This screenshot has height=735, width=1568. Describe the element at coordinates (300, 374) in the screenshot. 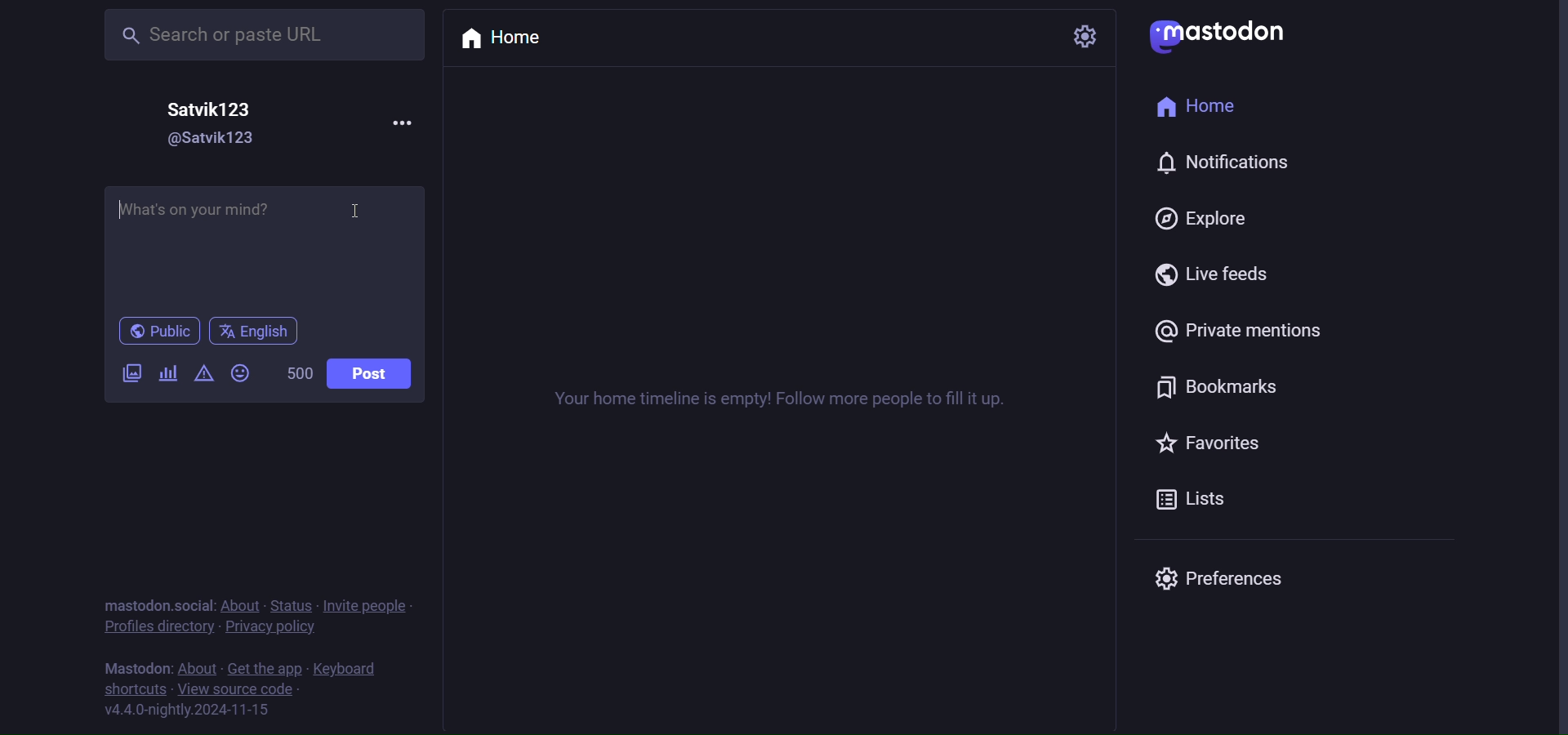

I see `word limit` at that location.